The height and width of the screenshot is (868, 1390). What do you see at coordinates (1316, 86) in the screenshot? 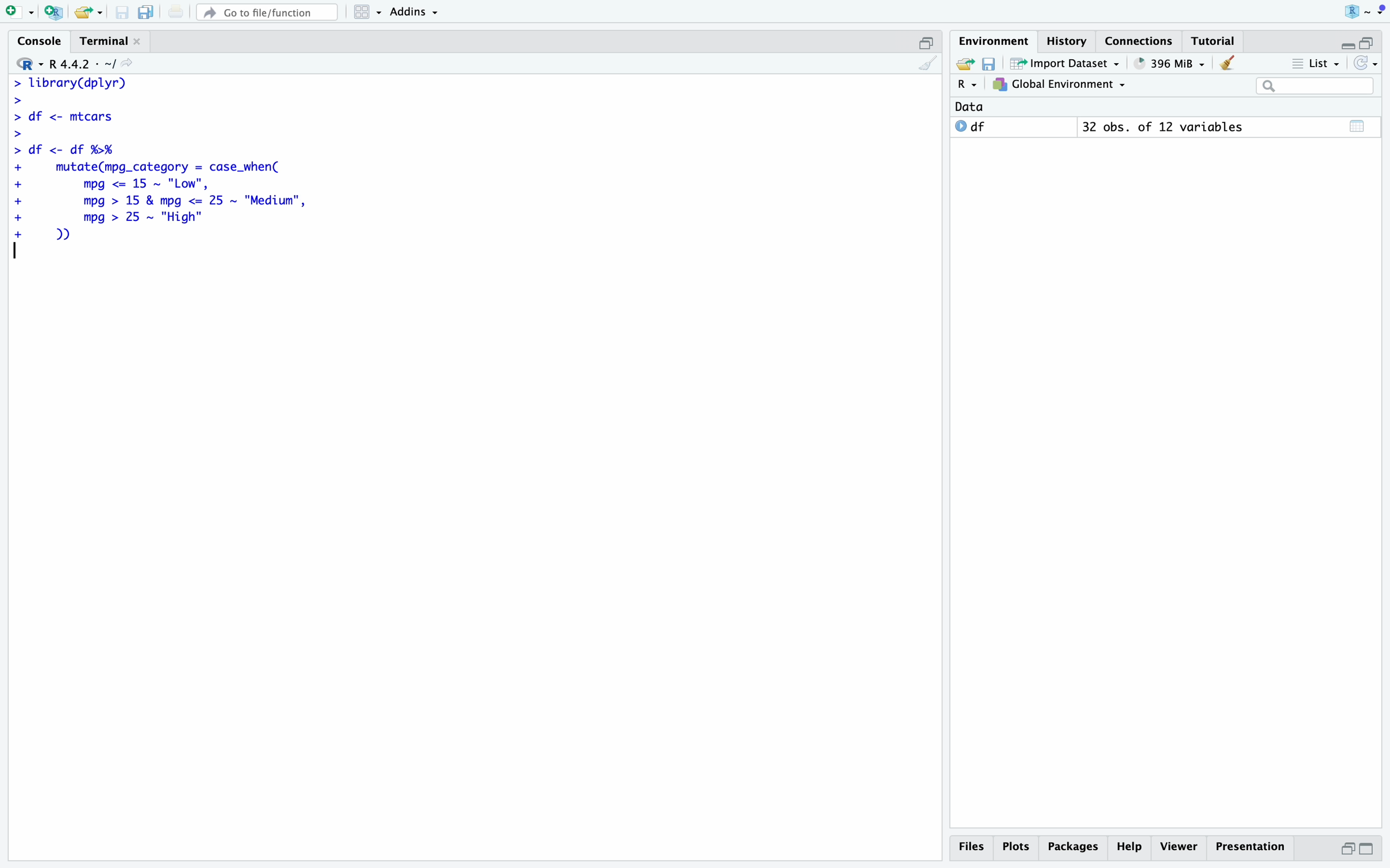
I see `searchbox` at bounding box center [1316, 86].